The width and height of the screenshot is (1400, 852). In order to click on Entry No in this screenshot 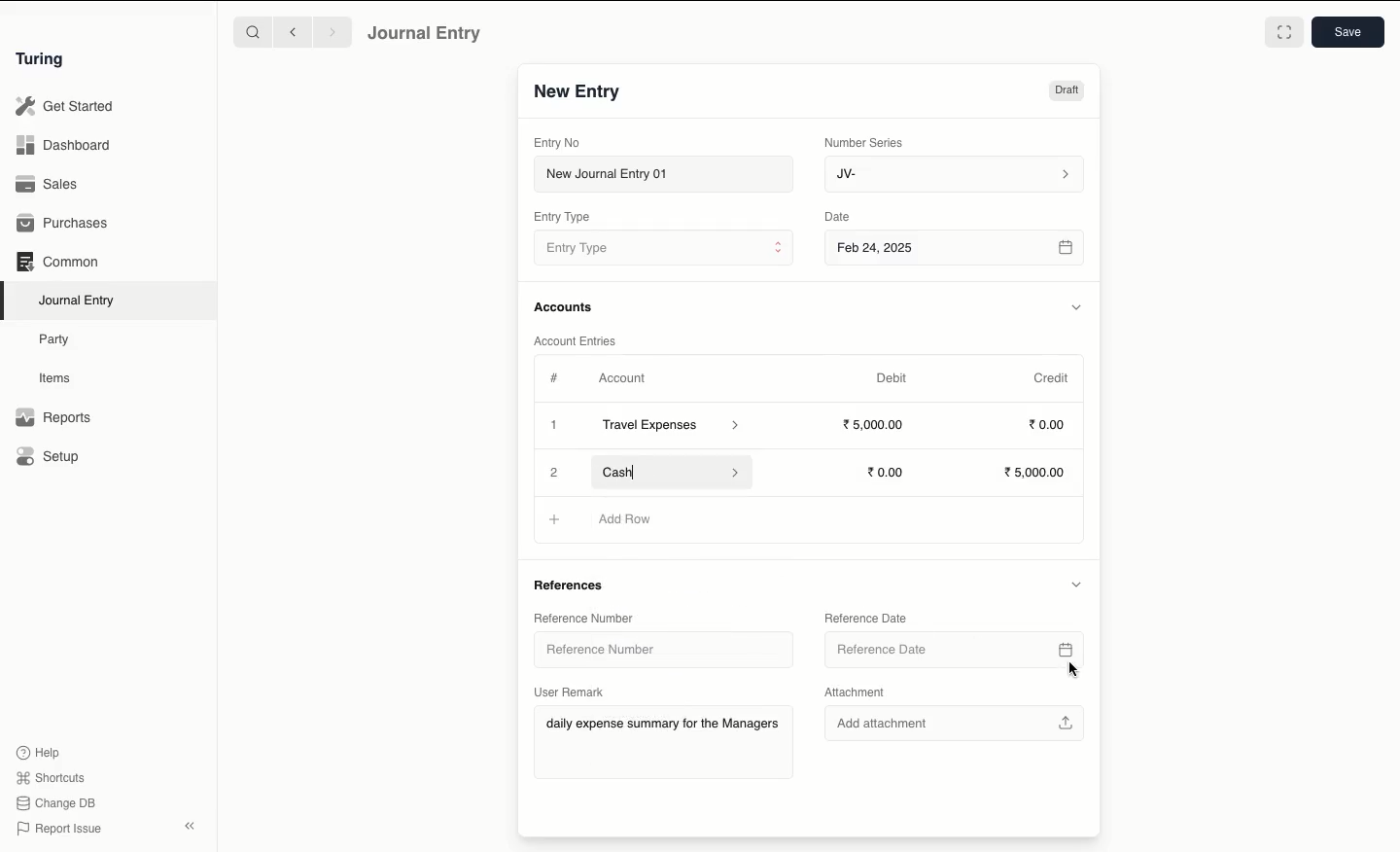, I will do `click(557, 143)`.